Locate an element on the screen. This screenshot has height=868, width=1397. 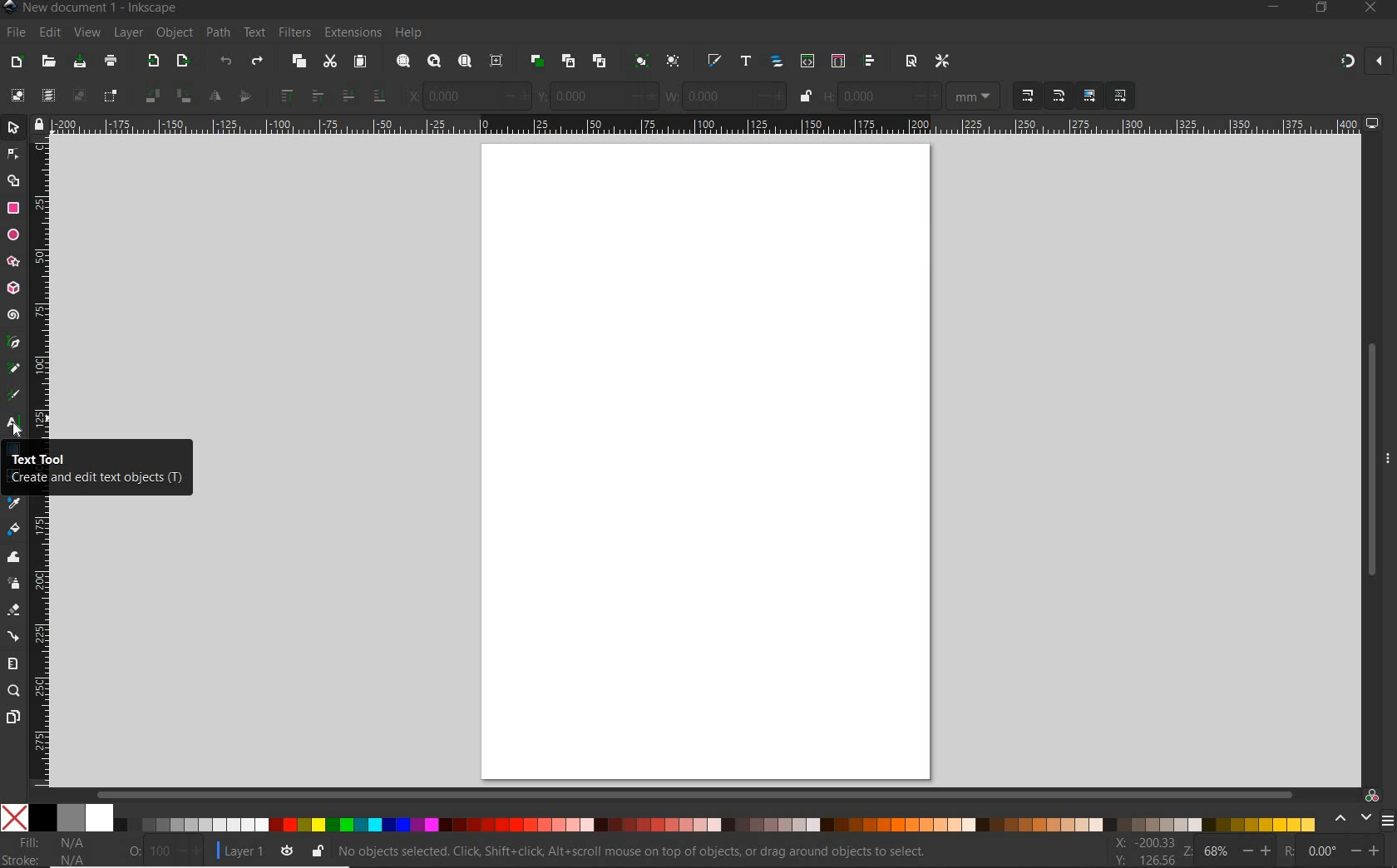
rotation is located at coordinates (1286, 850).